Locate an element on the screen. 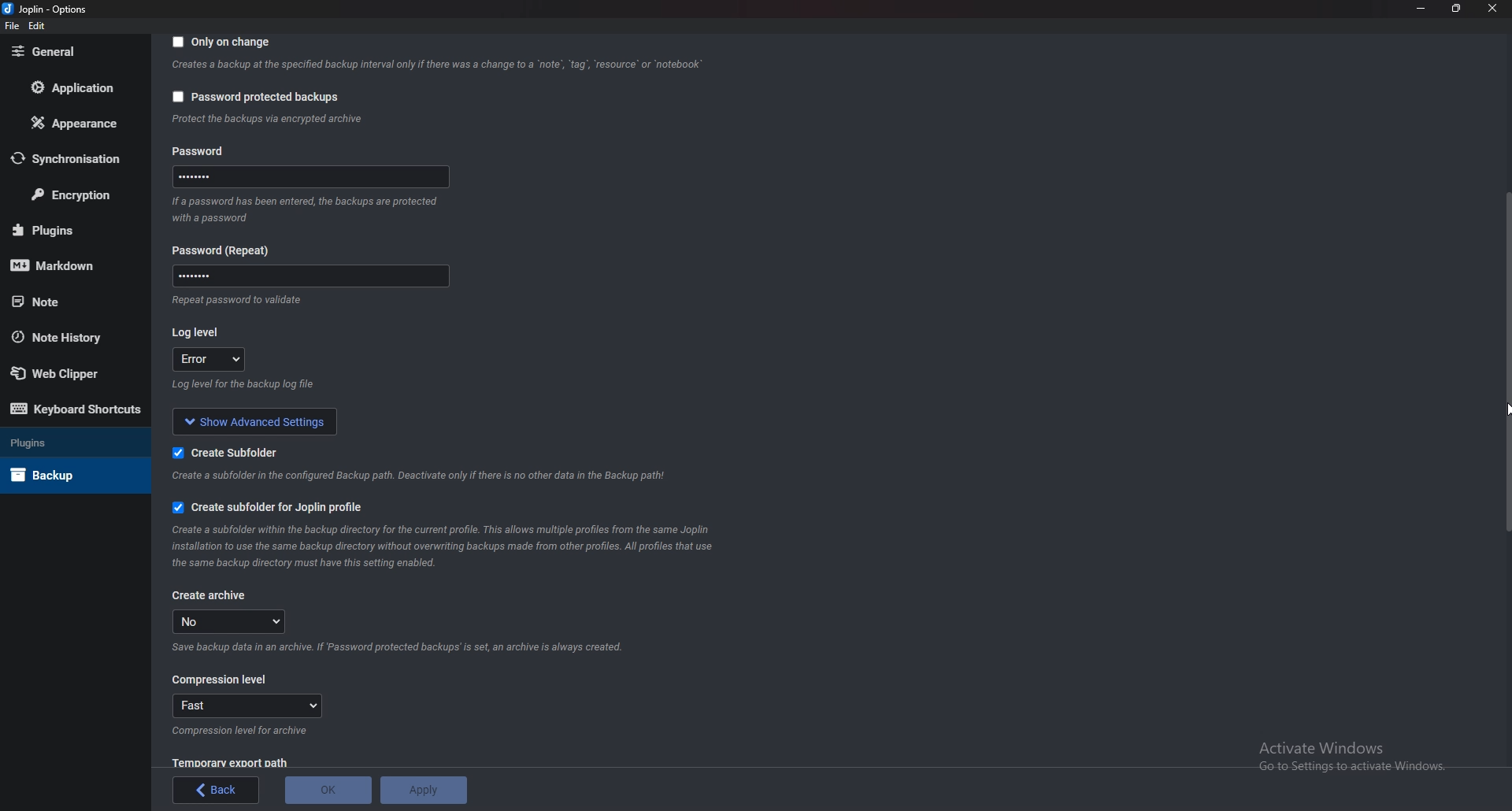 The width and height of the screenshot is (1512, 811). Appearance is located at coordinates (70, 124).